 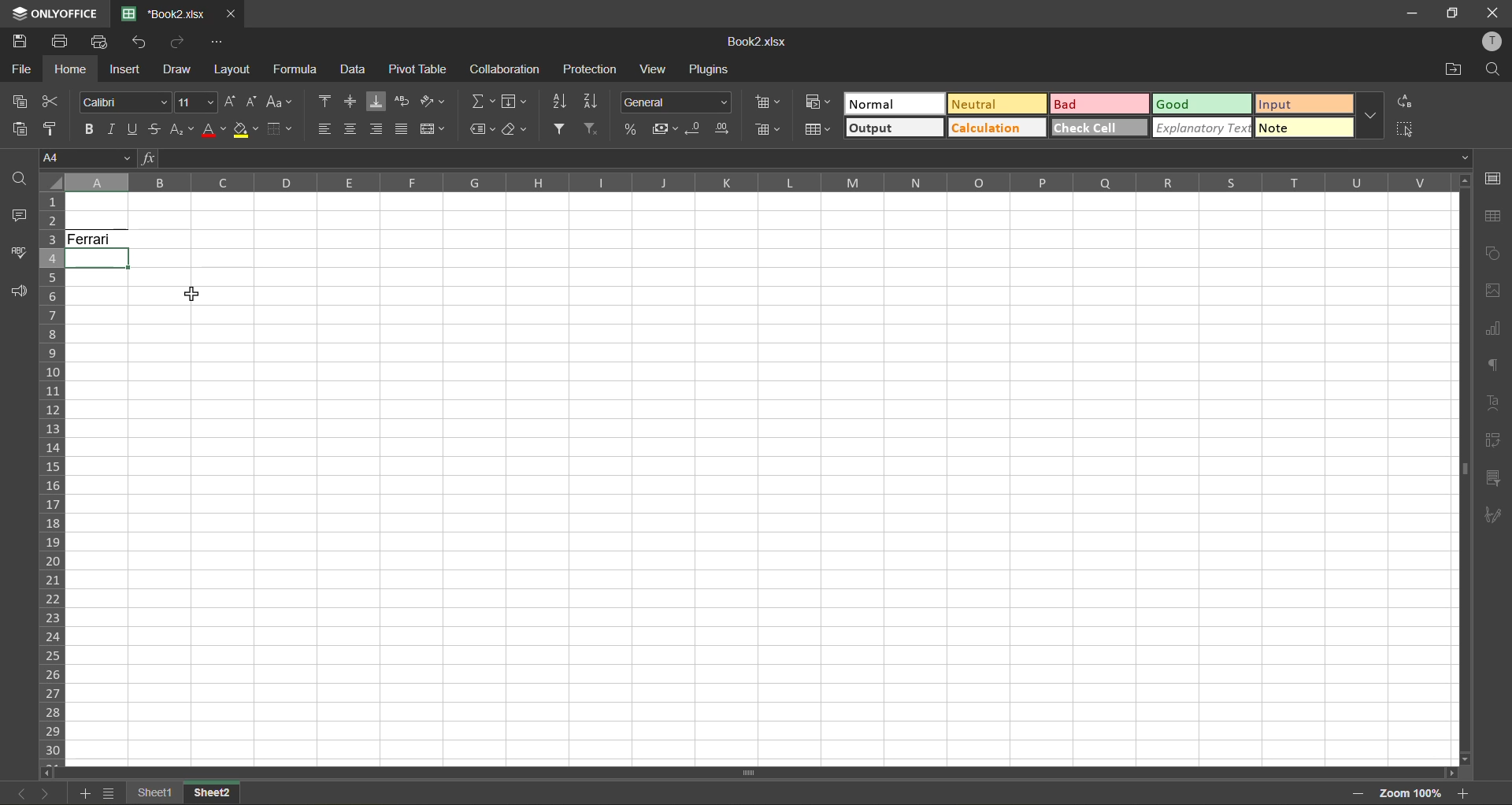 I want to click on clear, so click(x=514, y=129).